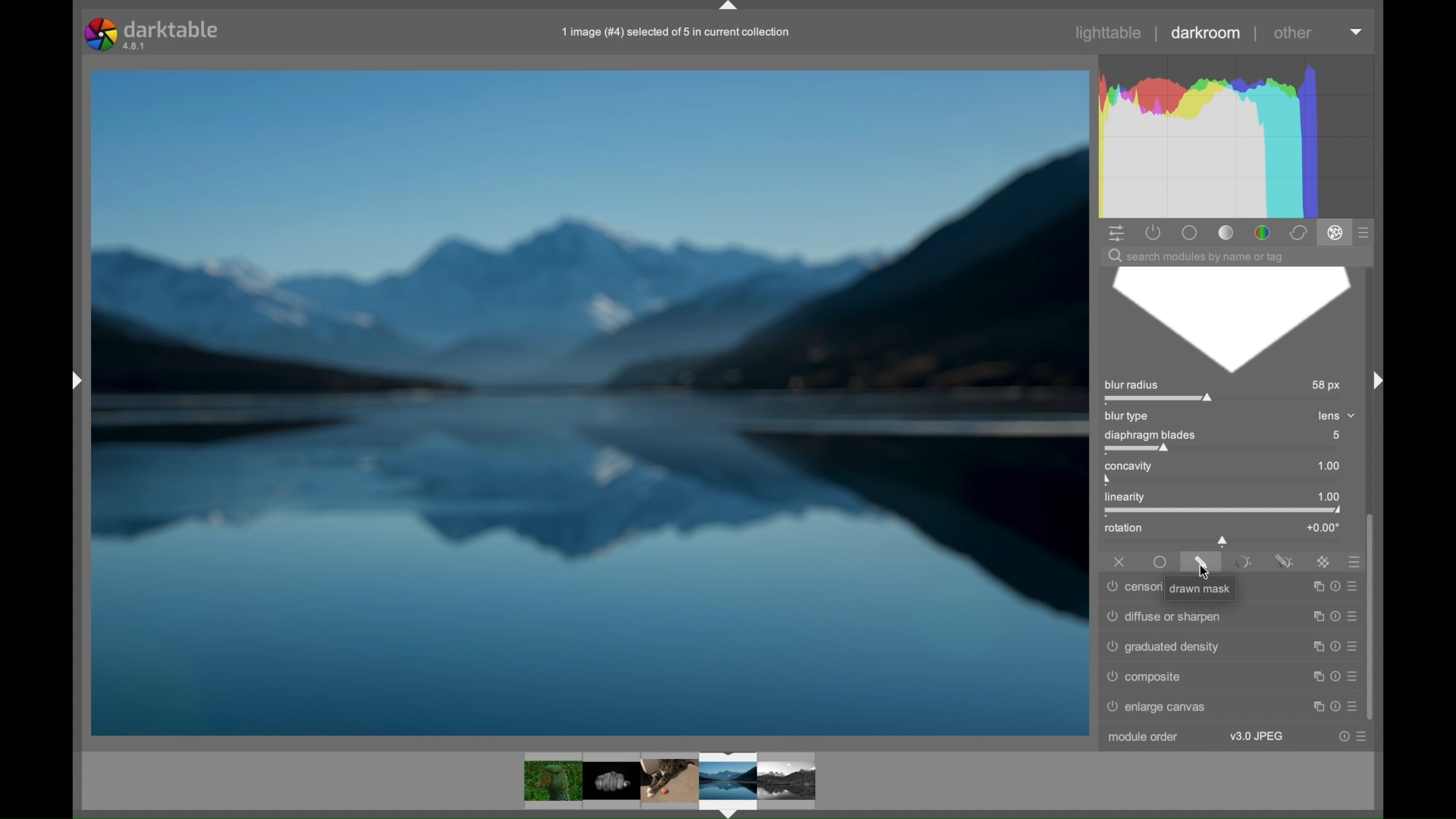 The height and width of the screenshot is (819, 1456). What do you see at coordinates (1132, 471) in the screenshot?
I see `concavity` at bounding box center [1132, 471].